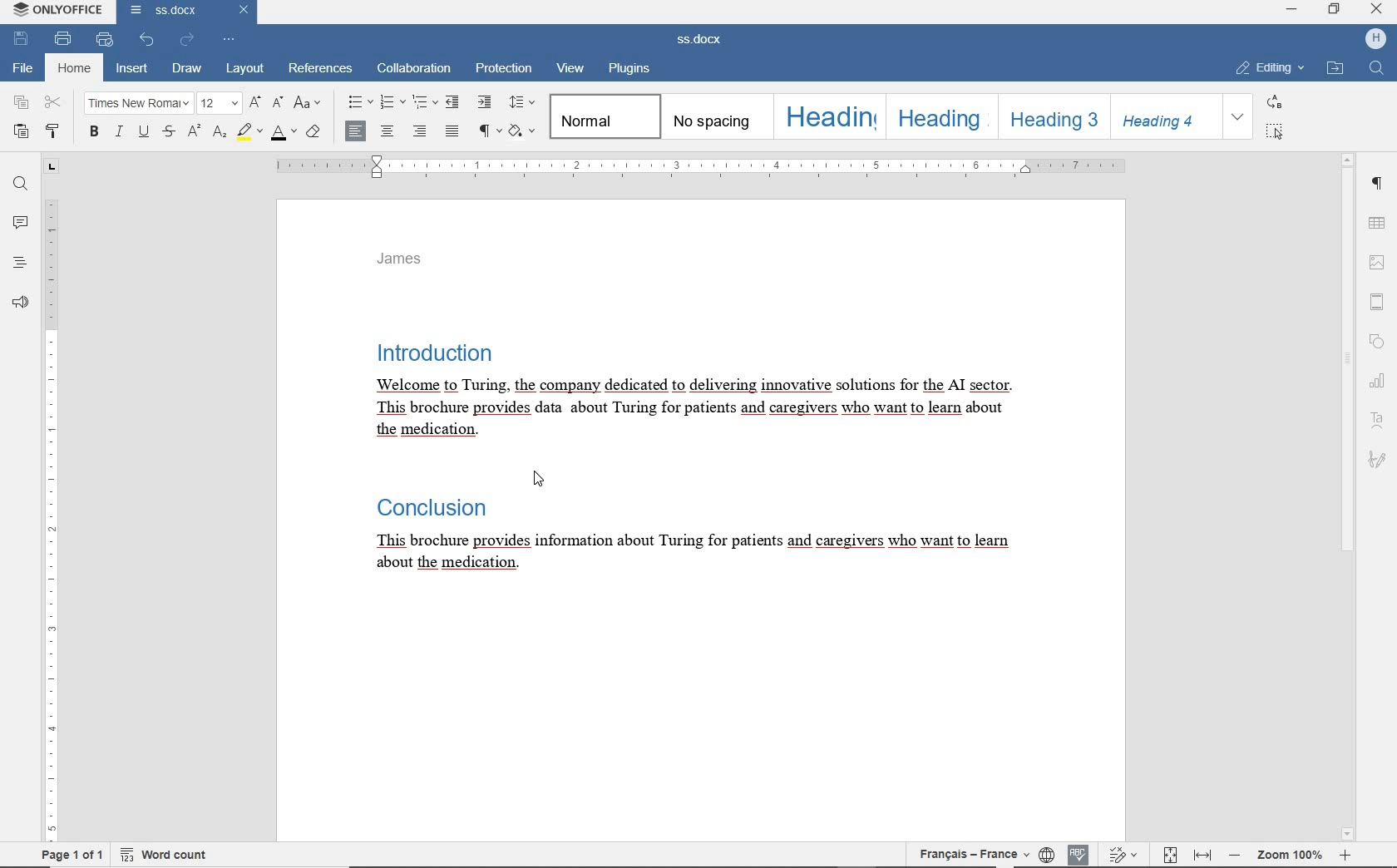 Image resolution: width=1397 pixels, height=868 pixels. I want to click on TEXT ART, so click(1379, 418).